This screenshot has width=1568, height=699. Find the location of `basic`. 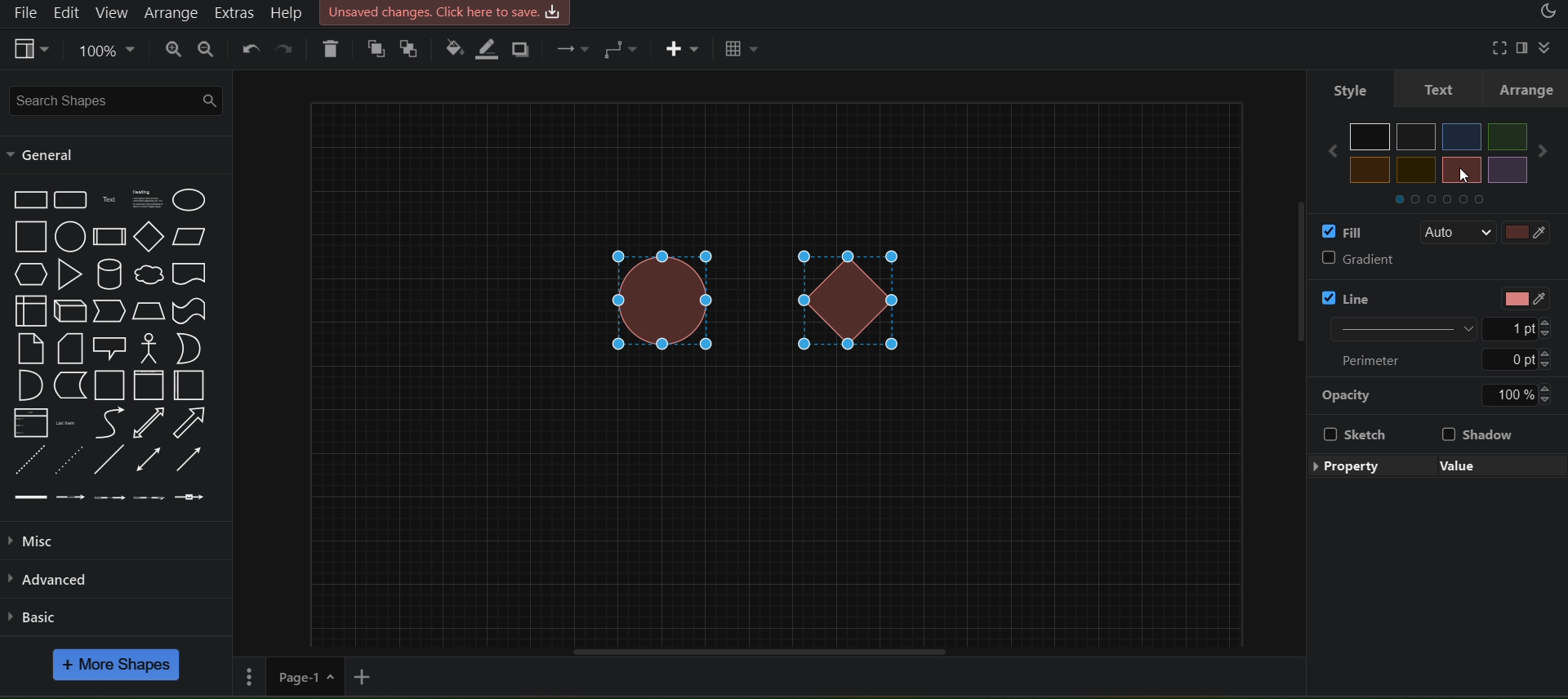

basic is located at coordinates (118, 621).